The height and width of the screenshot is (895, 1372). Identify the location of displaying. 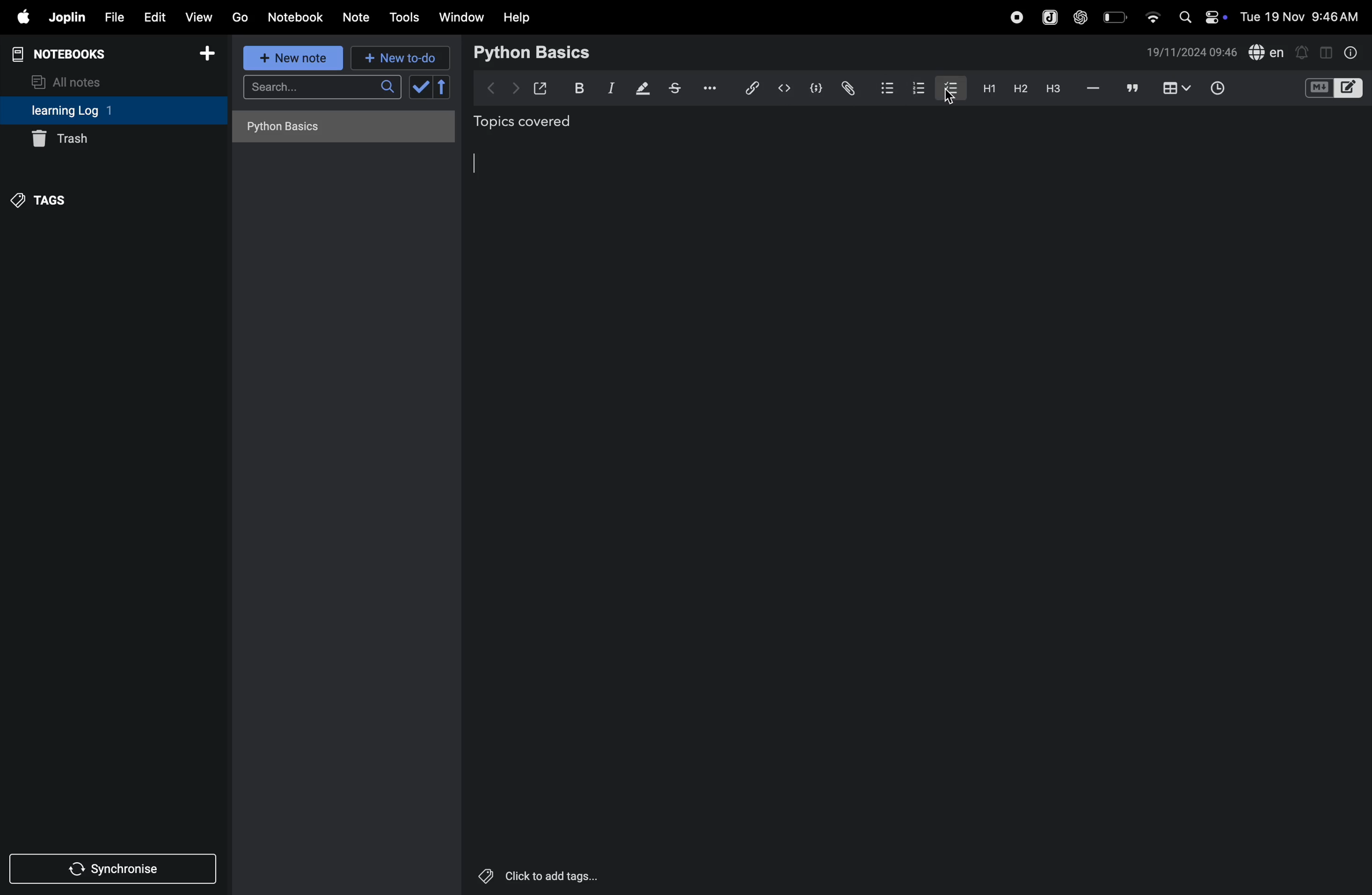
(643, 89).